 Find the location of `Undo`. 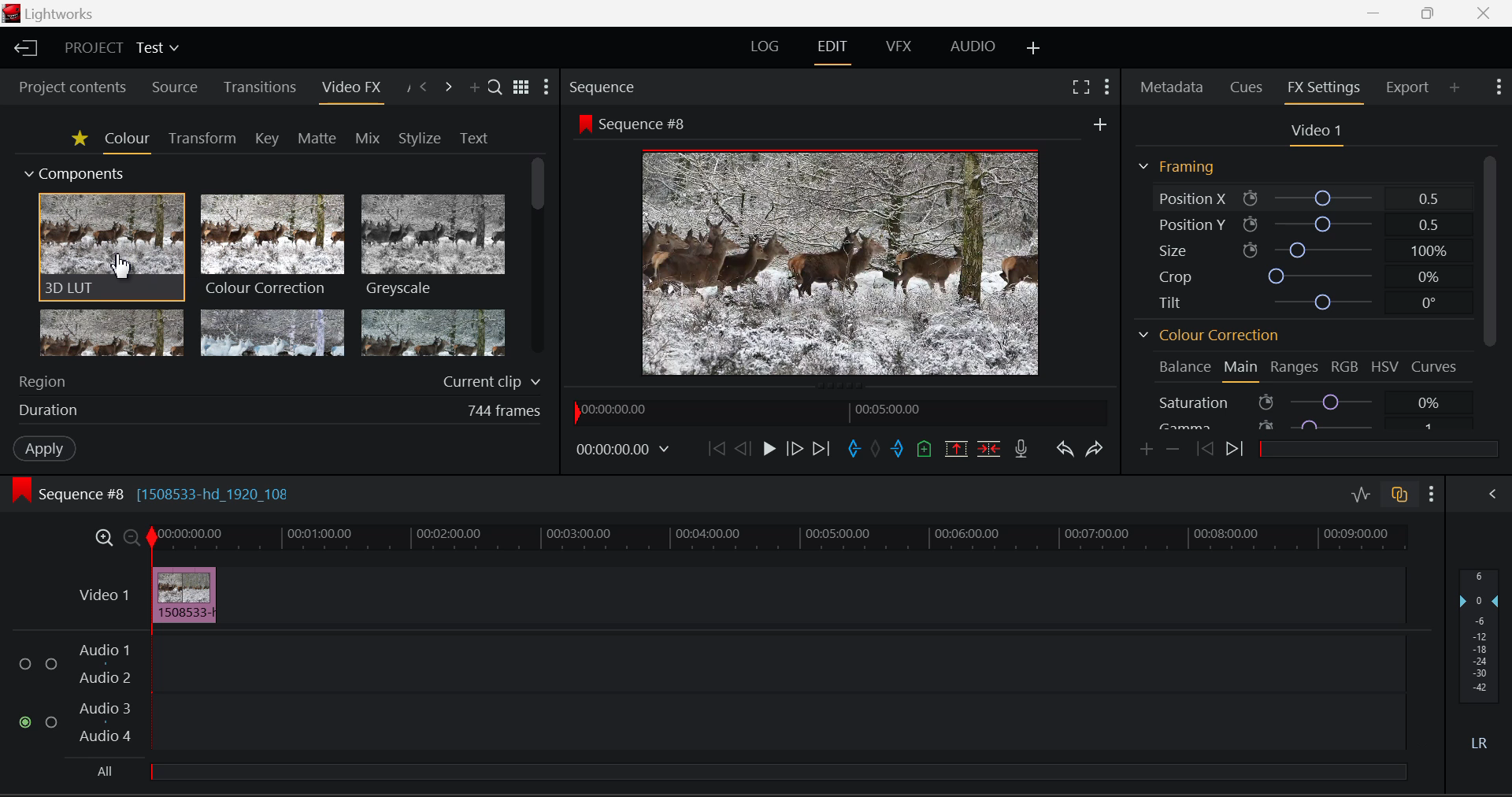

Undo is located at coordinates (1066, 451).